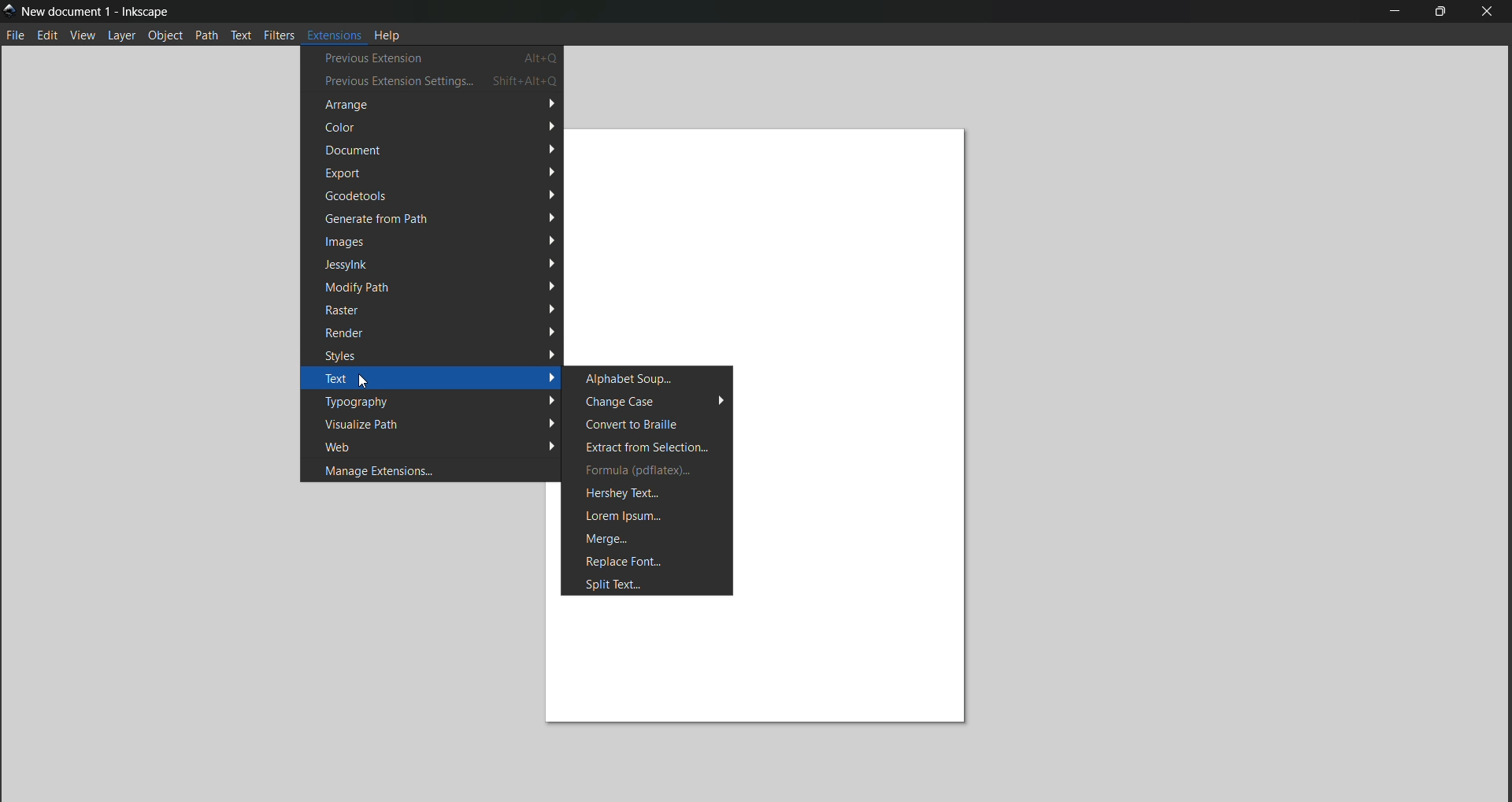 The height and width of the screenshot is (802, 1512). Describe the element at coordinates (364, 381) in the screenshot. I see `cursor` at that location.